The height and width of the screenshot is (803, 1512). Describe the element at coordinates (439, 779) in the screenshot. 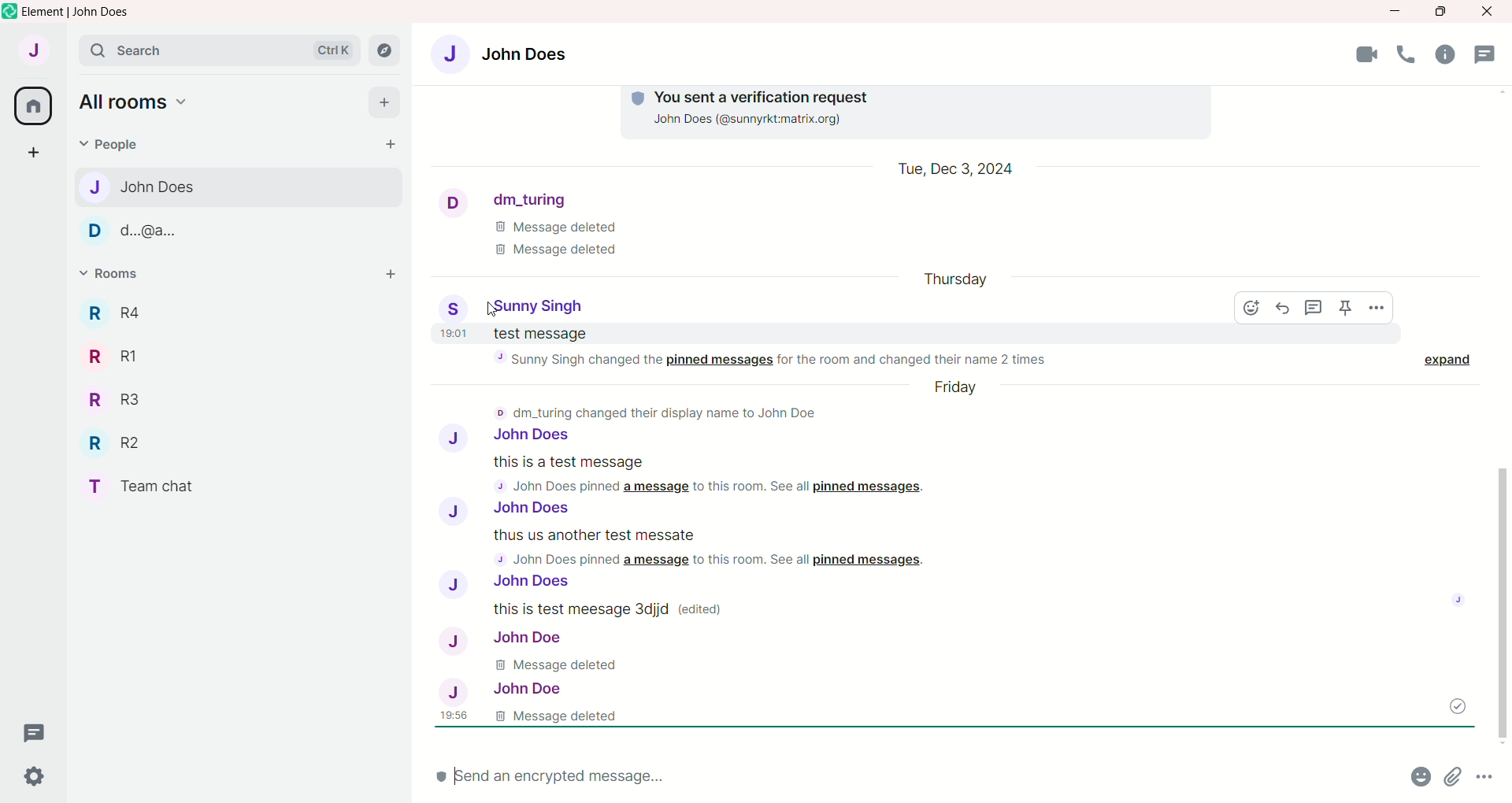

I see `encryption status` at that location.